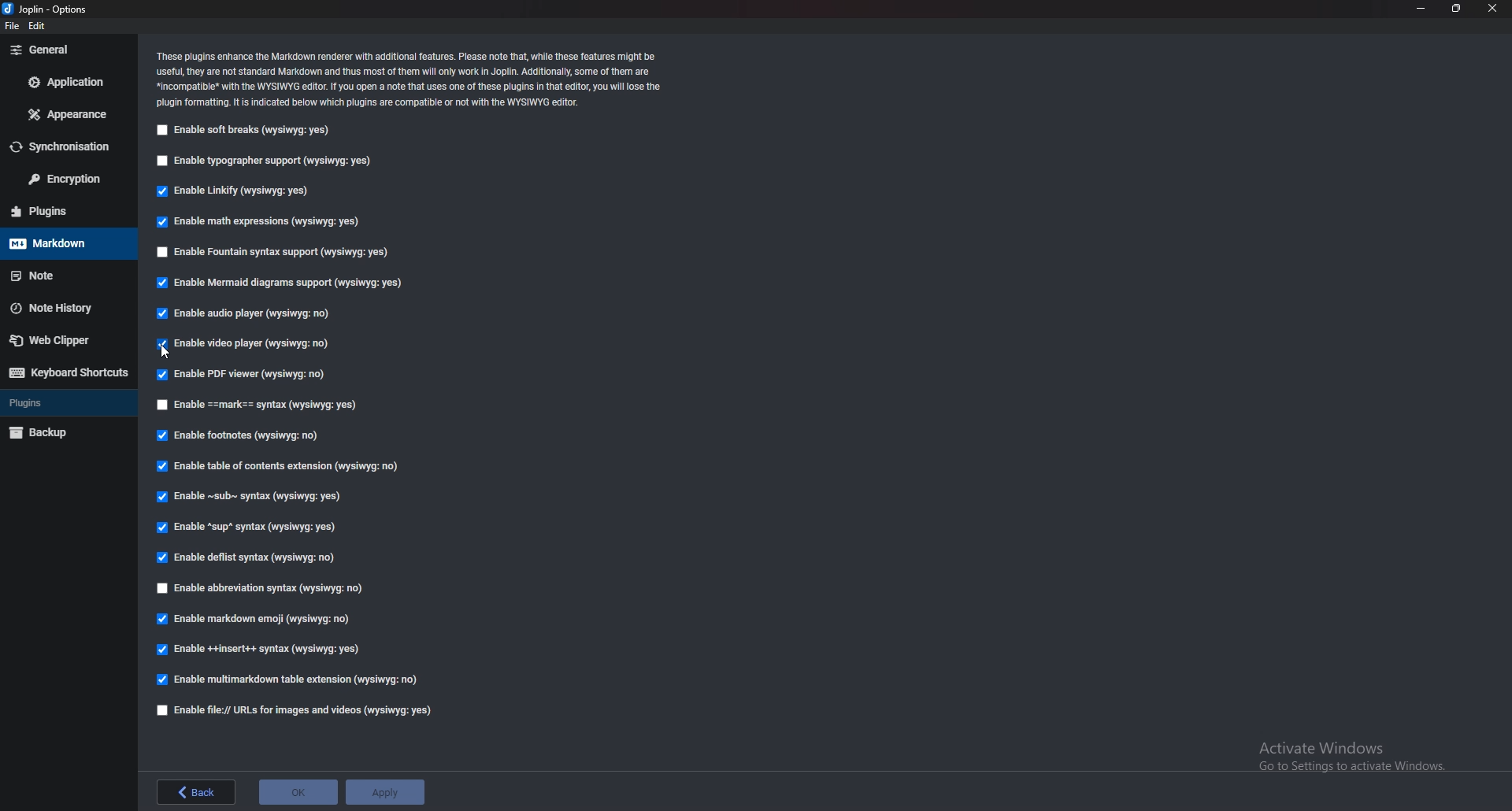 This screenshot has height=811, width=1512. Describe the element at coordinates (252, 498) in the screenshot. I see `Enable sub syntax (wysiqyg:yes)` at that location.